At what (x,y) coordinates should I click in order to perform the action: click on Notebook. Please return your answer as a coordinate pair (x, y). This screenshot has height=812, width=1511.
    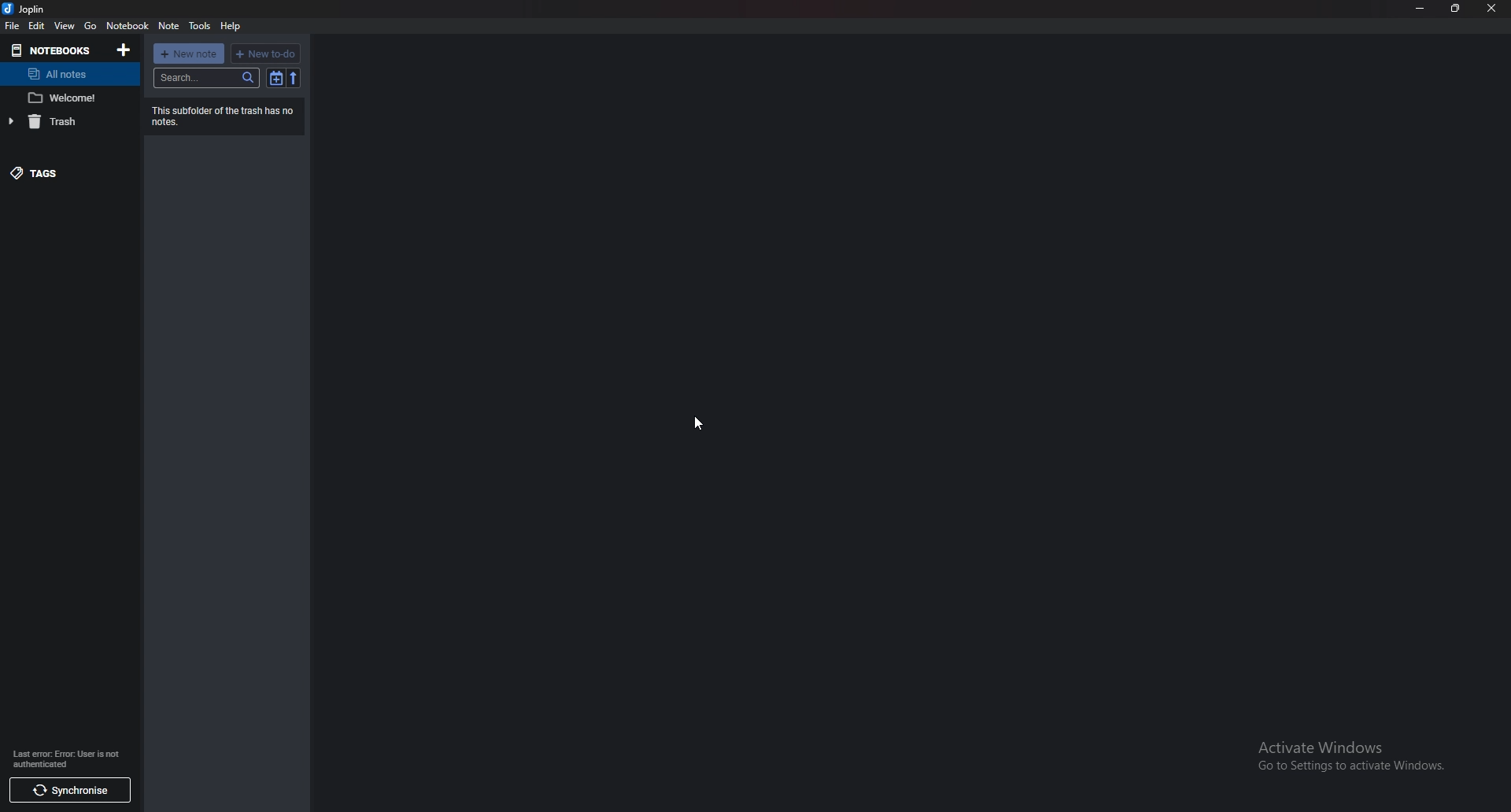
    Looking at the image, I should click on (127, 26).